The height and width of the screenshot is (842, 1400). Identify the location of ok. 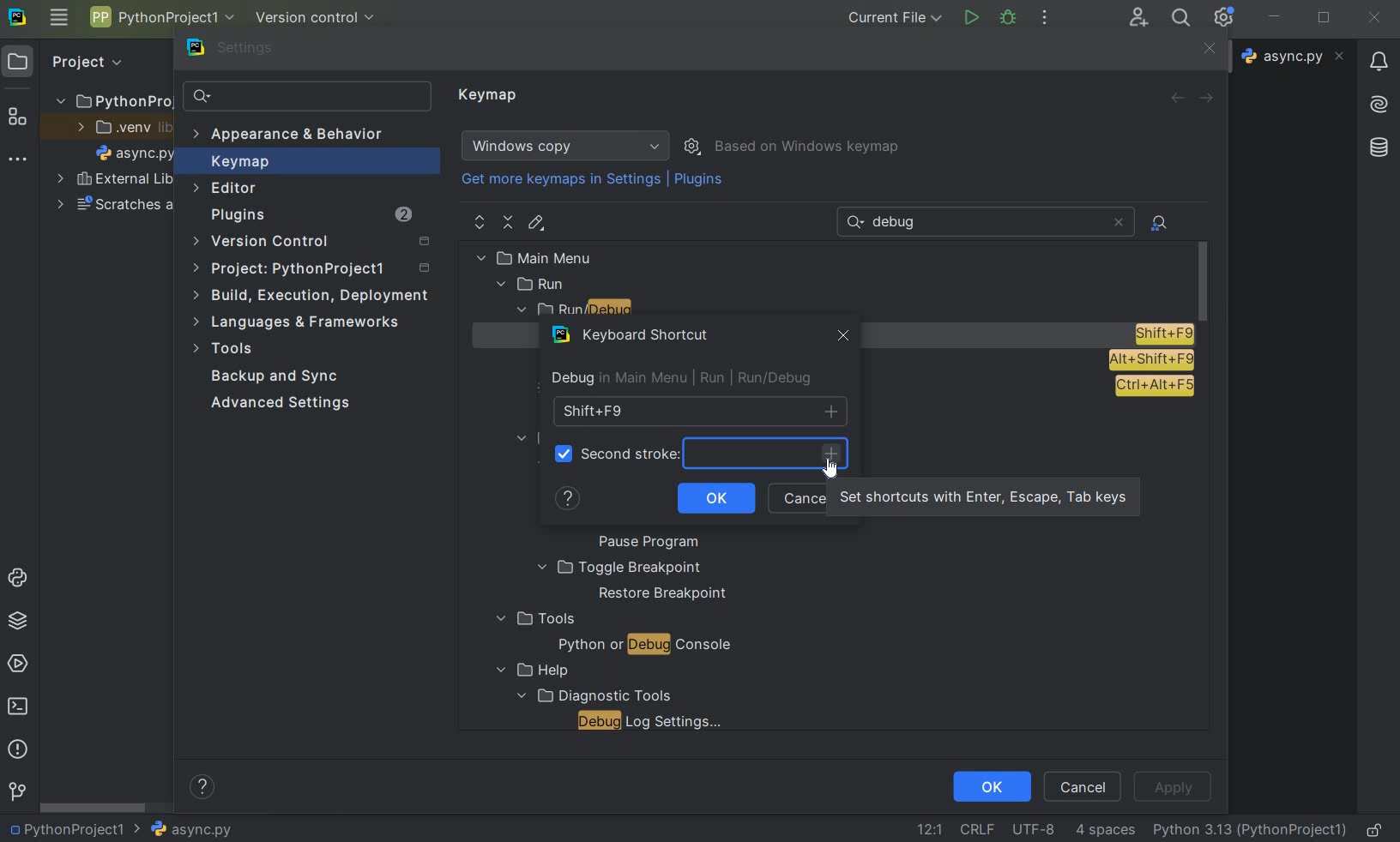
(991, 785).